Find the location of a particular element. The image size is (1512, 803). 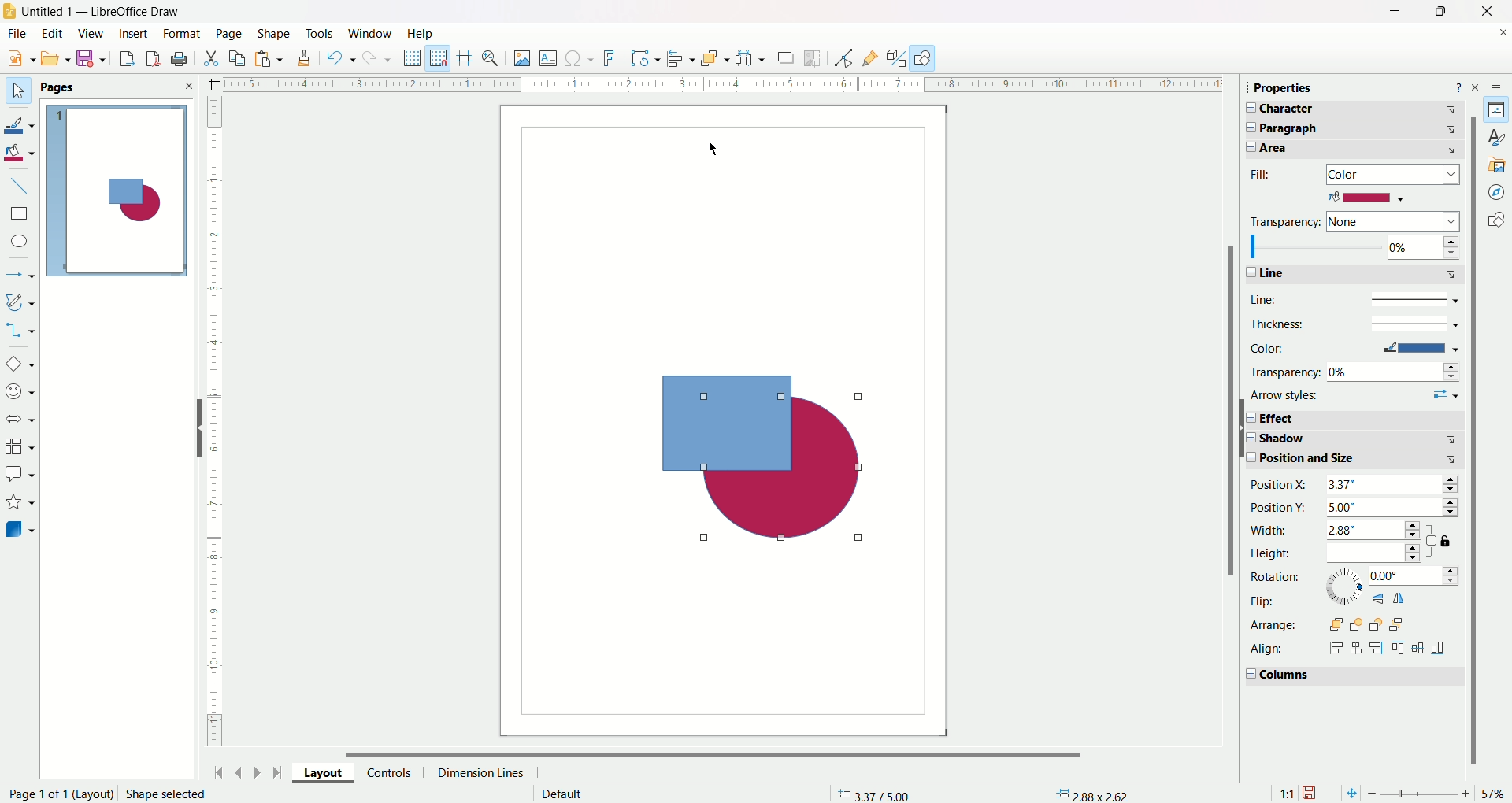

fill is located at coordinates (1358, 174).